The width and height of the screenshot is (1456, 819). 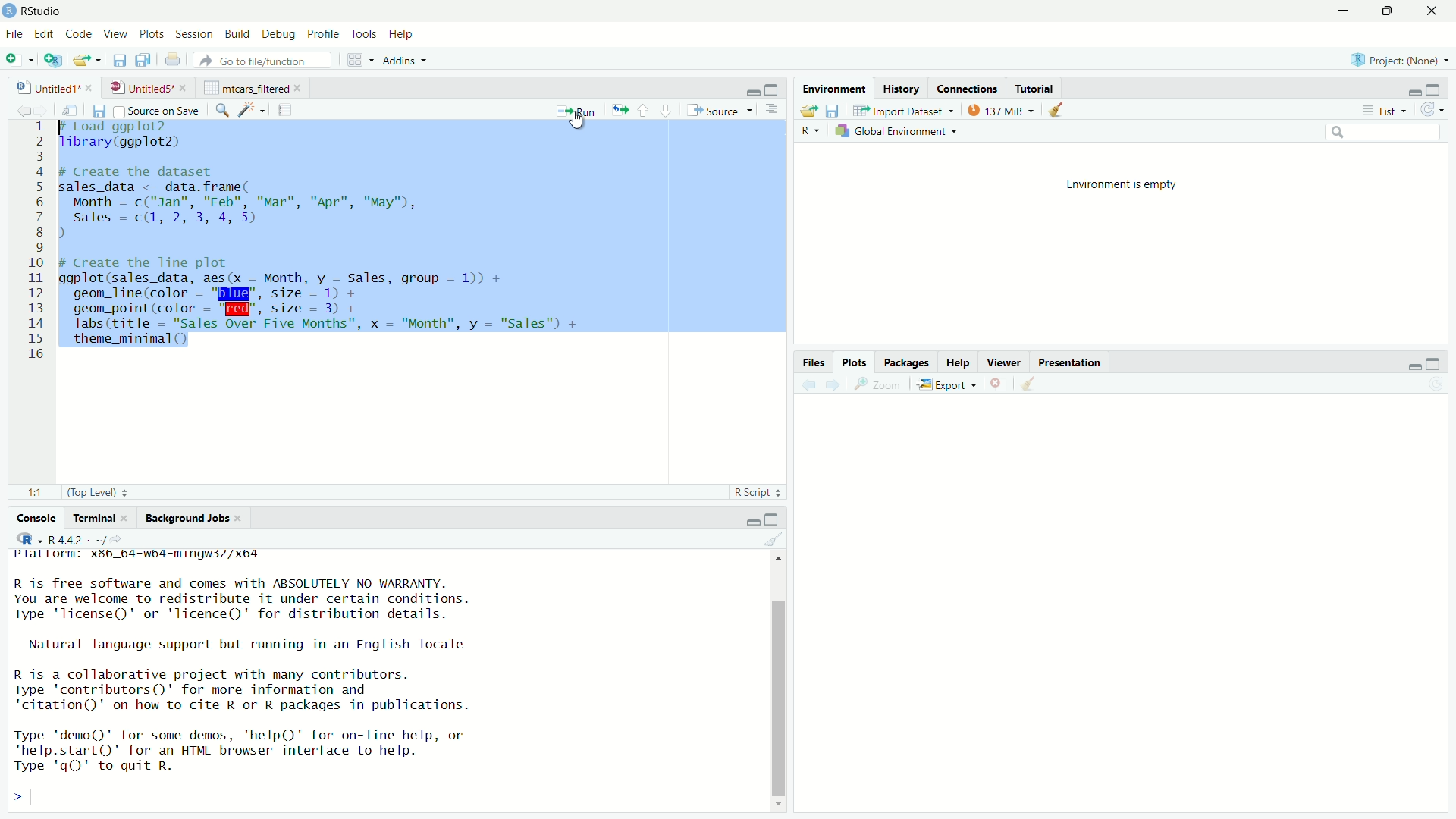 What do you see at coordinates (246, 88) in the screenshot?
I see `mtcars_filtered` at bounding box center [246, 88].